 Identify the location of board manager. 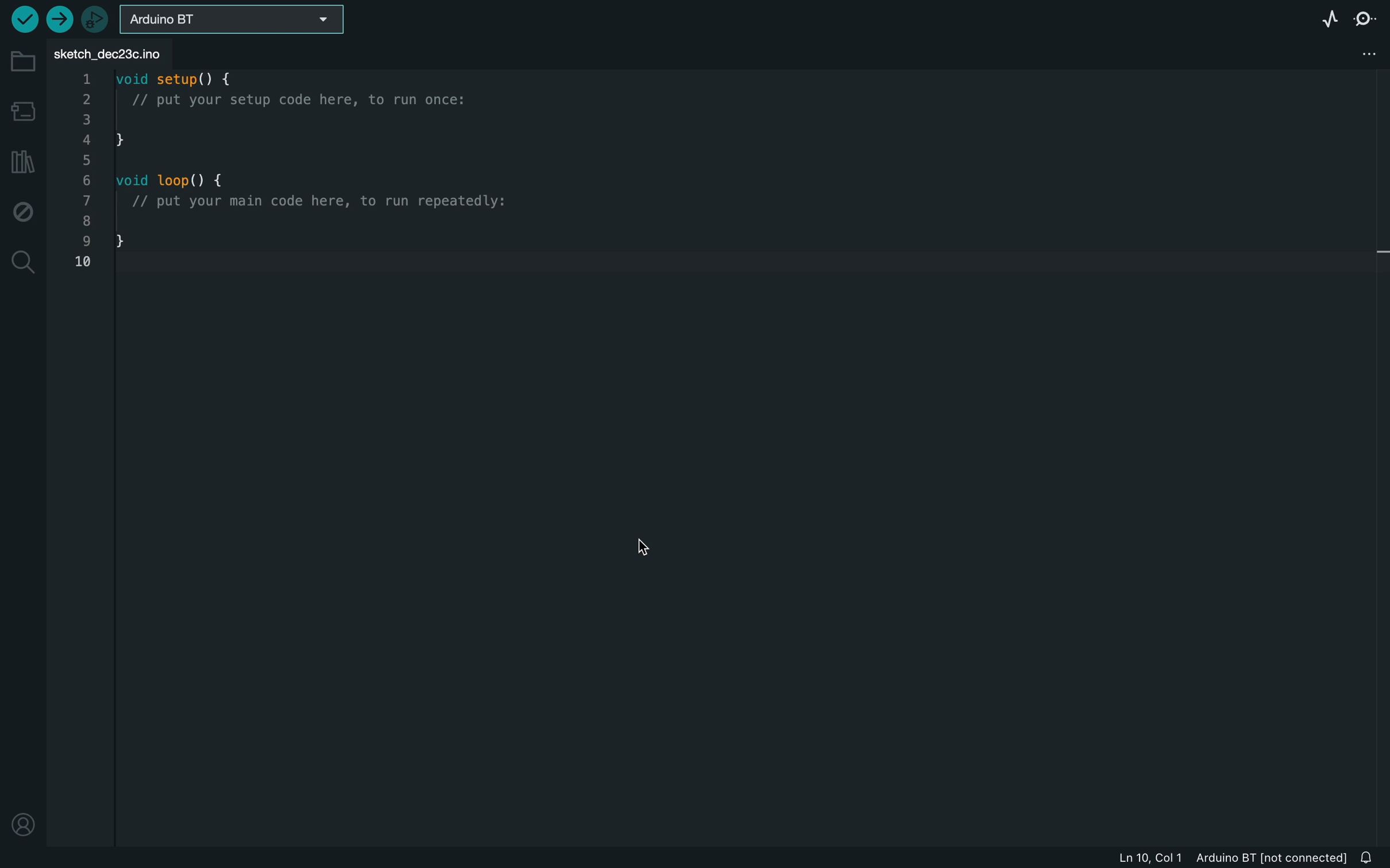
(24, 111).